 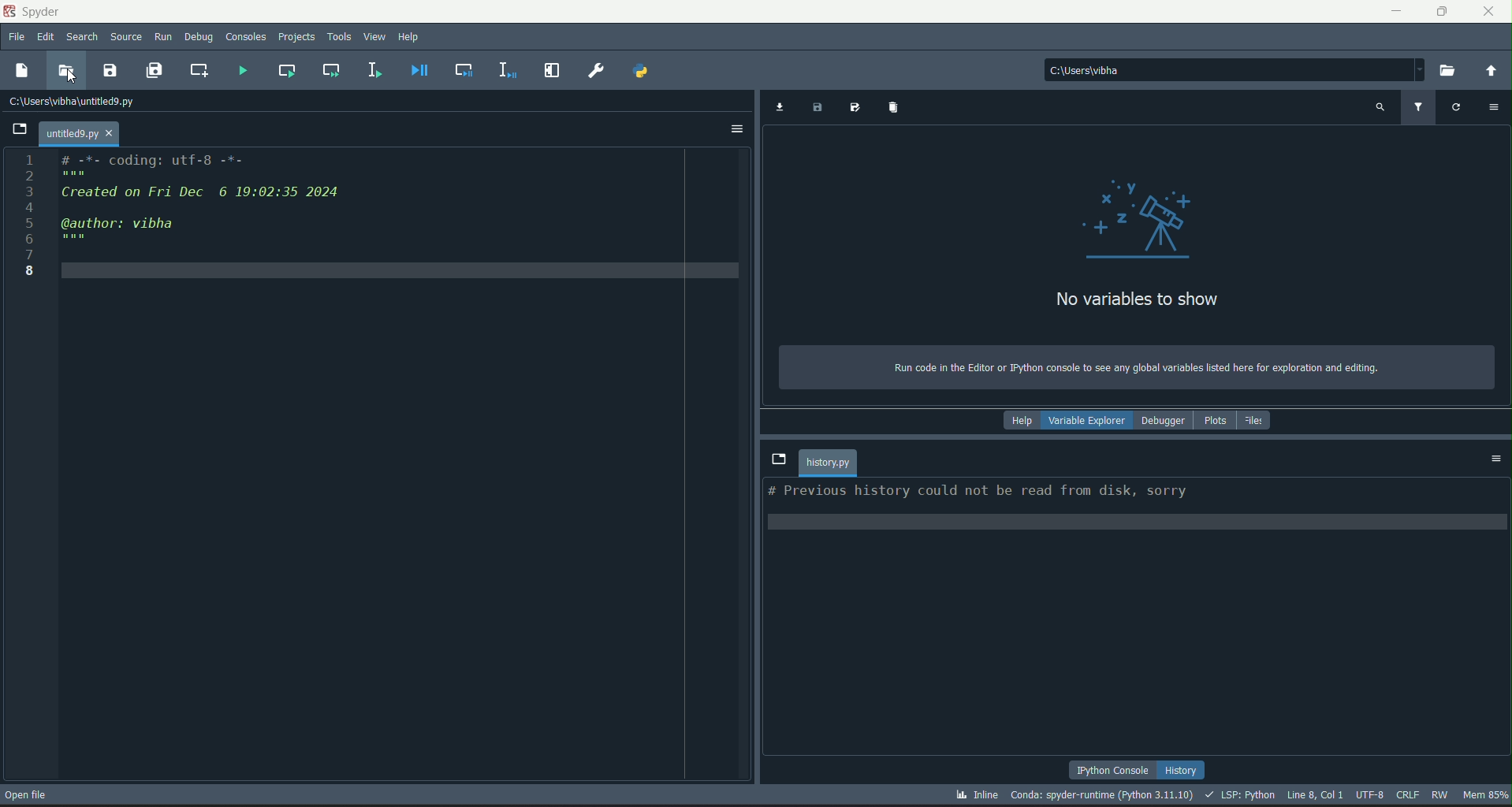 What do you see at coordinates (1138, 220) in the screenshot?
I see `graphics` at bounding box center [1138, 220].